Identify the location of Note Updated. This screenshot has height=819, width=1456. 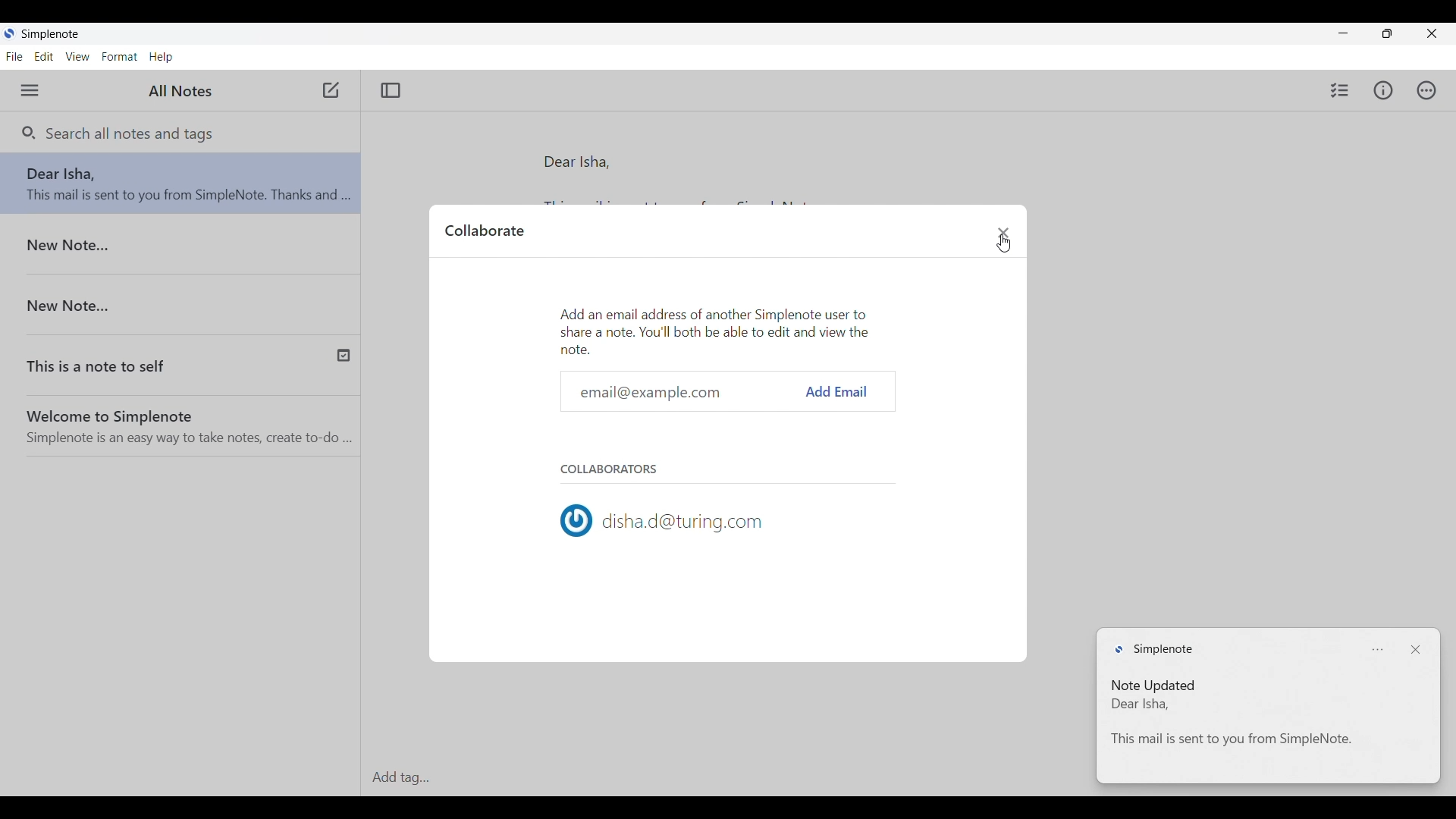
(1154, 687).